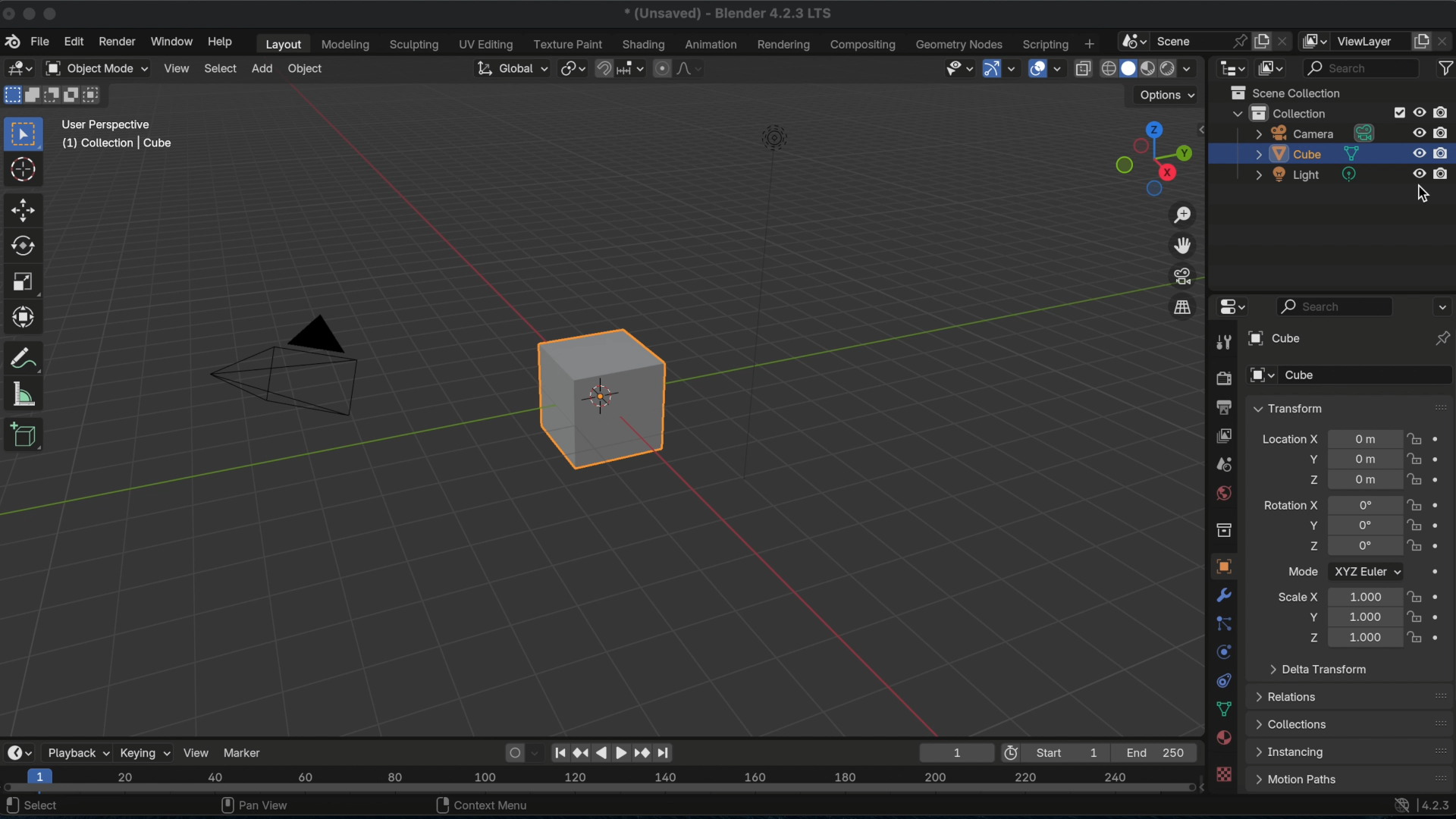 This screenshot has height=819, width=1456. I want to click on rotate, so click(20, 246).